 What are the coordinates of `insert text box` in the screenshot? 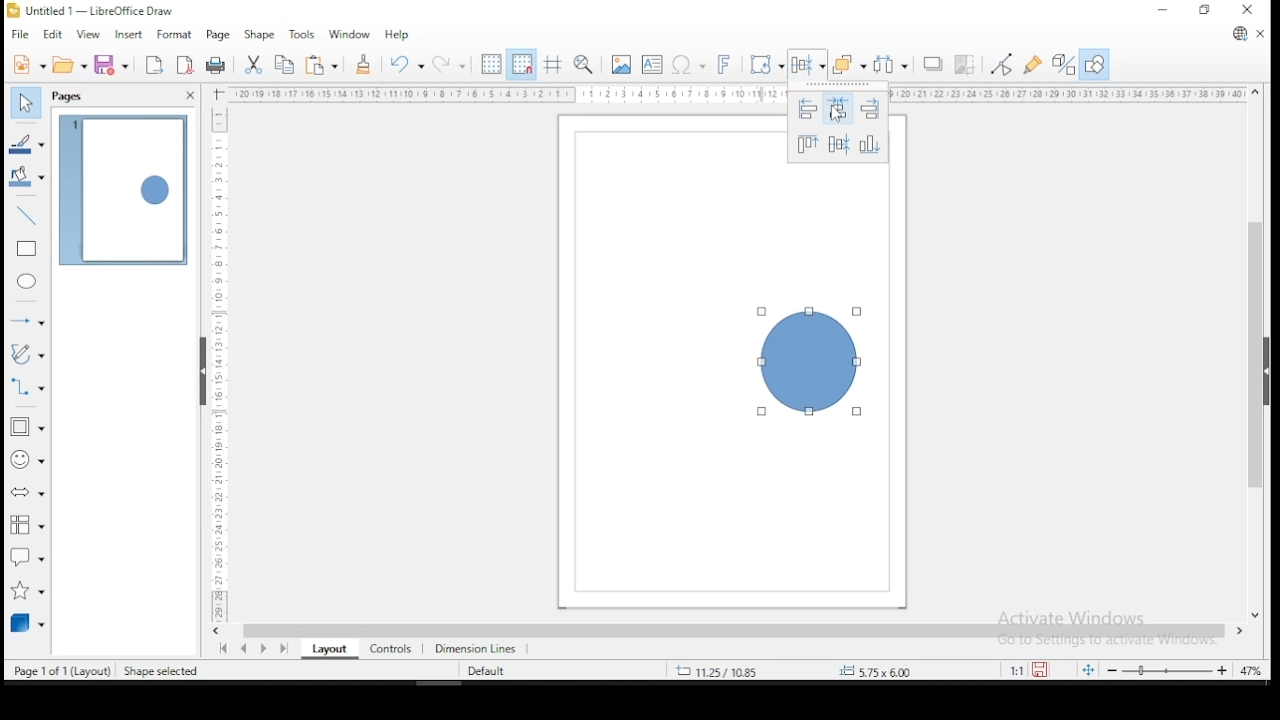 It's located at (652, 64).